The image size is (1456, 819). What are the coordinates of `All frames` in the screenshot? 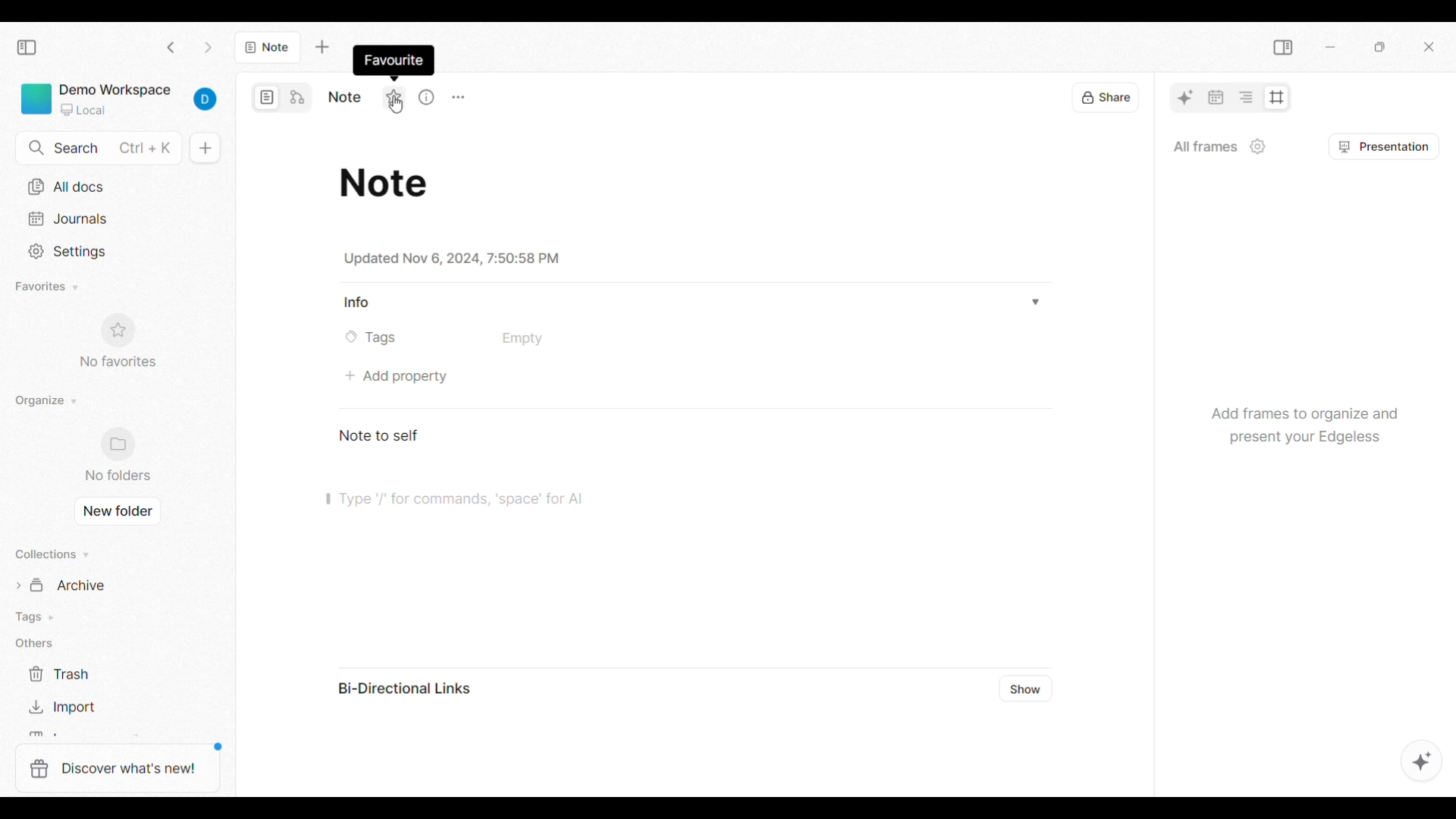 It's located at (1205, 146).